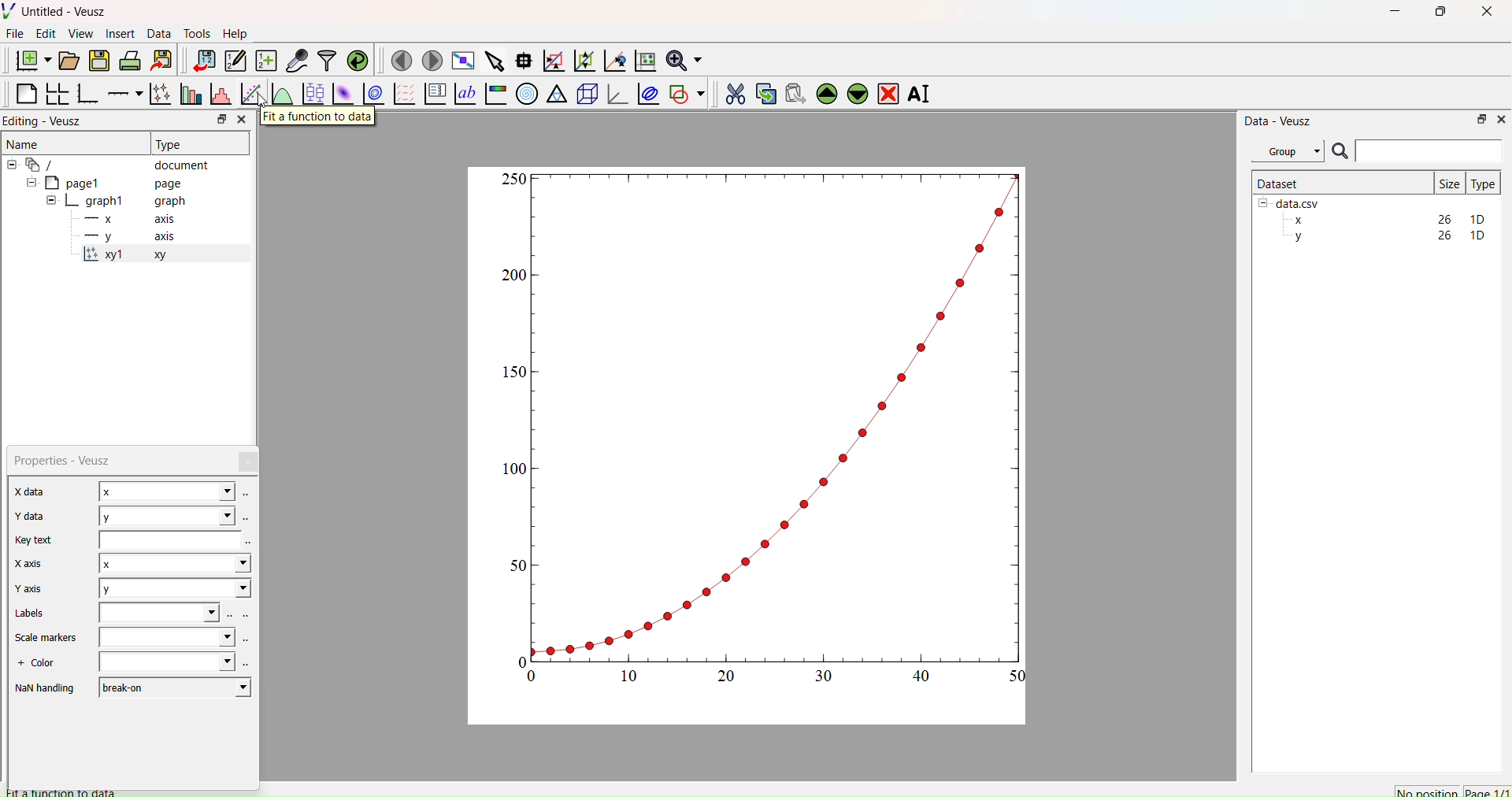 The image size is (1512, 797). Describe the element at coordinates (246, 665) in the screenshot. I see `select using dataset browser` at that location.